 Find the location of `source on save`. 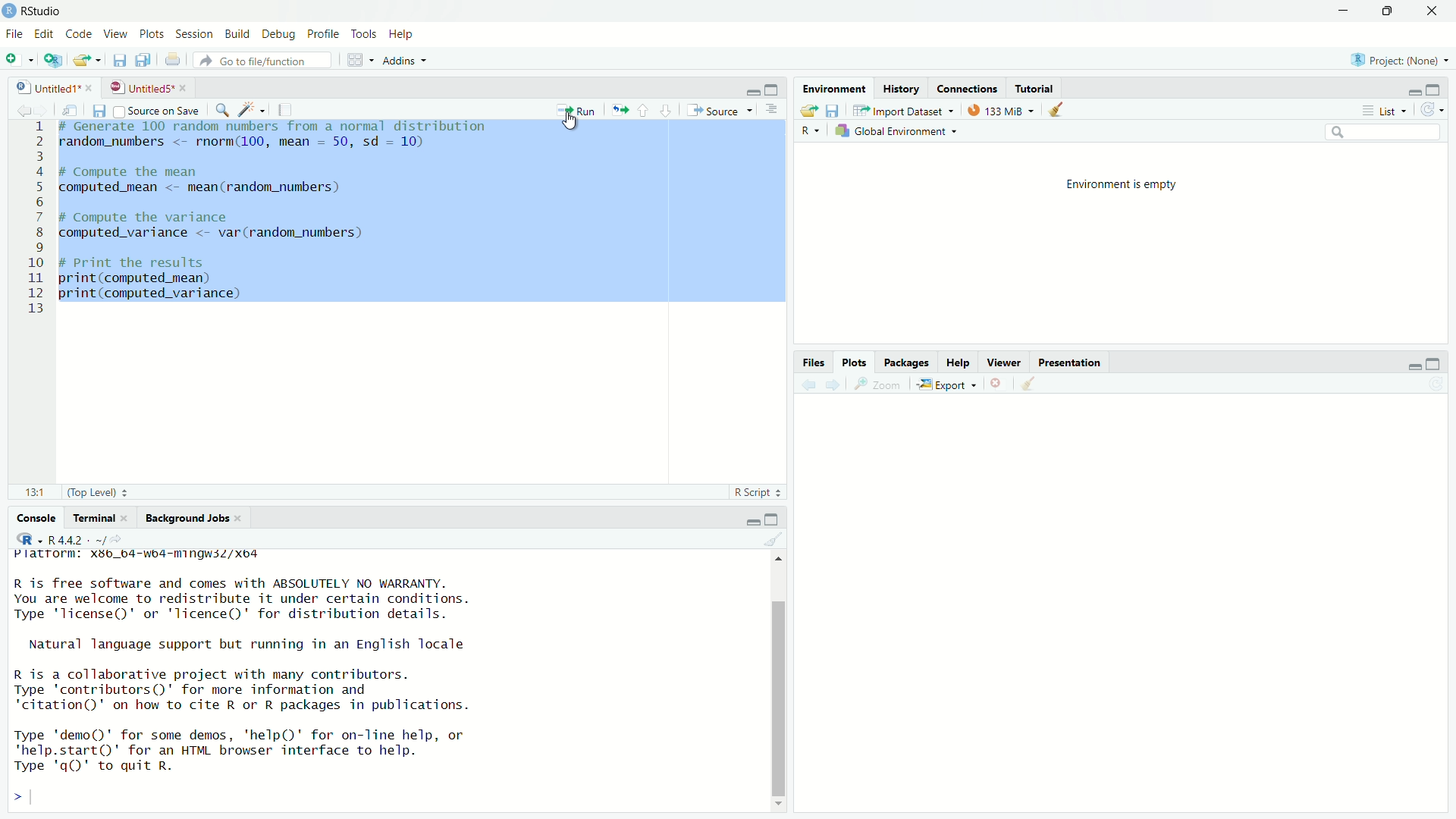

source on save is located at coordinates (158, 110).